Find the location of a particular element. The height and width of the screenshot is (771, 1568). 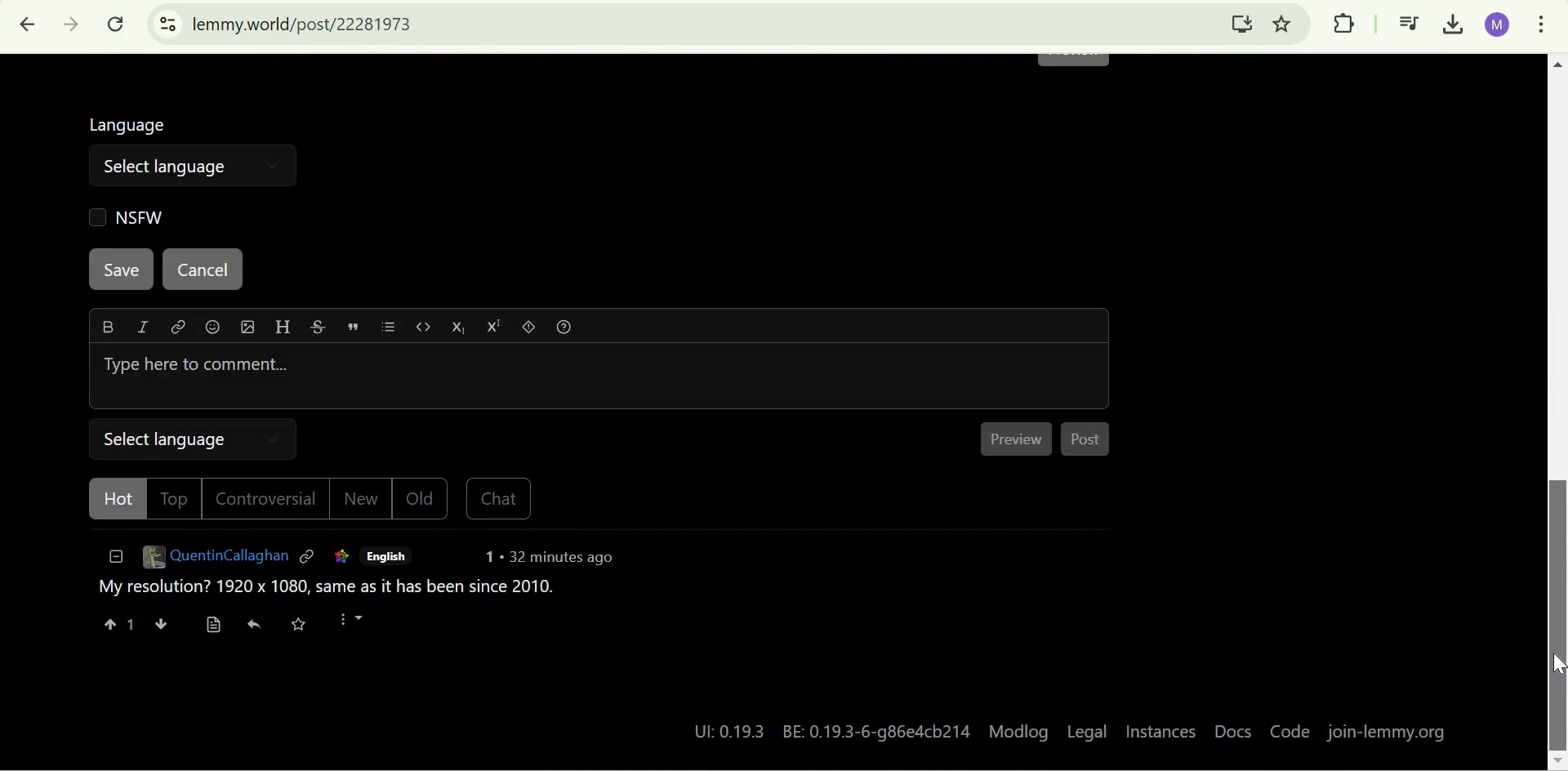

cursor is located at coordinates (1558, 670).